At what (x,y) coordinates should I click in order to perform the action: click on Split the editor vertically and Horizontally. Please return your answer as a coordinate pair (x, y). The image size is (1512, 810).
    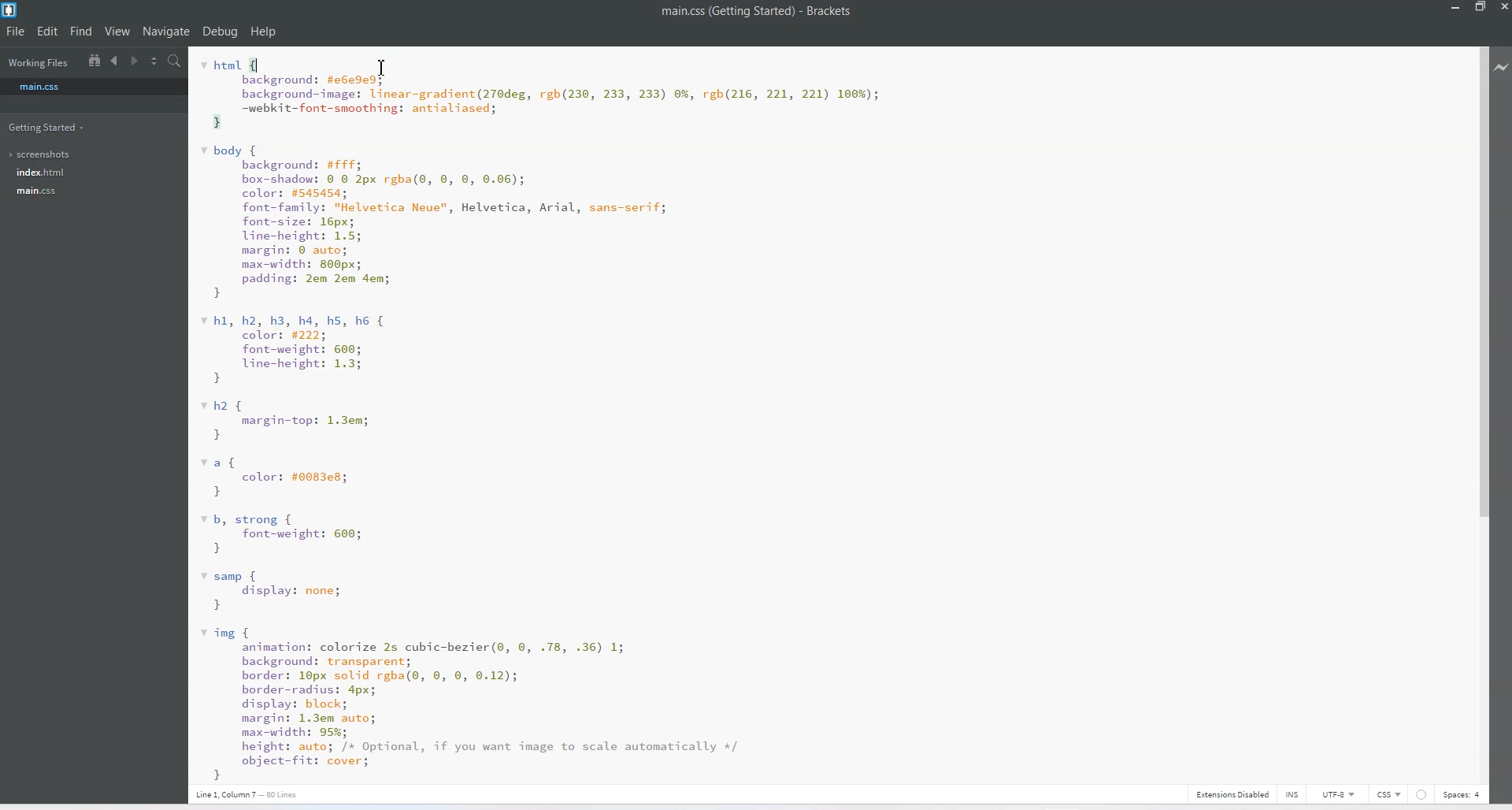
    Looking at the image, I should click on (156, 61).